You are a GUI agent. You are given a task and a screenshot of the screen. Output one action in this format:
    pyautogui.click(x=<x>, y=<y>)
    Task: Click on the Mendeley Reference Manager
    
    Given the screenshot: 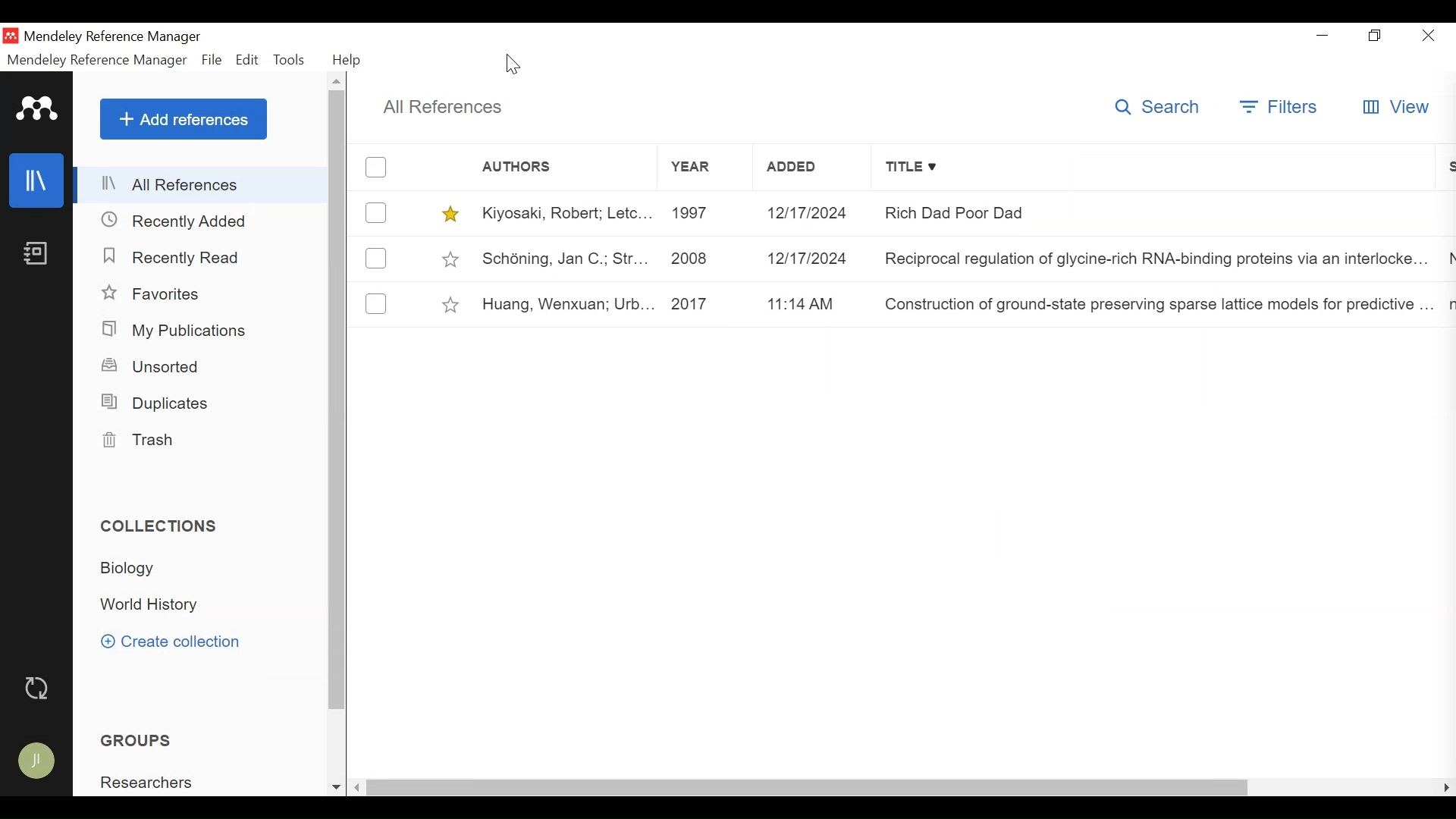 What is the action you would take?
    pyautogui.click(x=99, y=61)
    